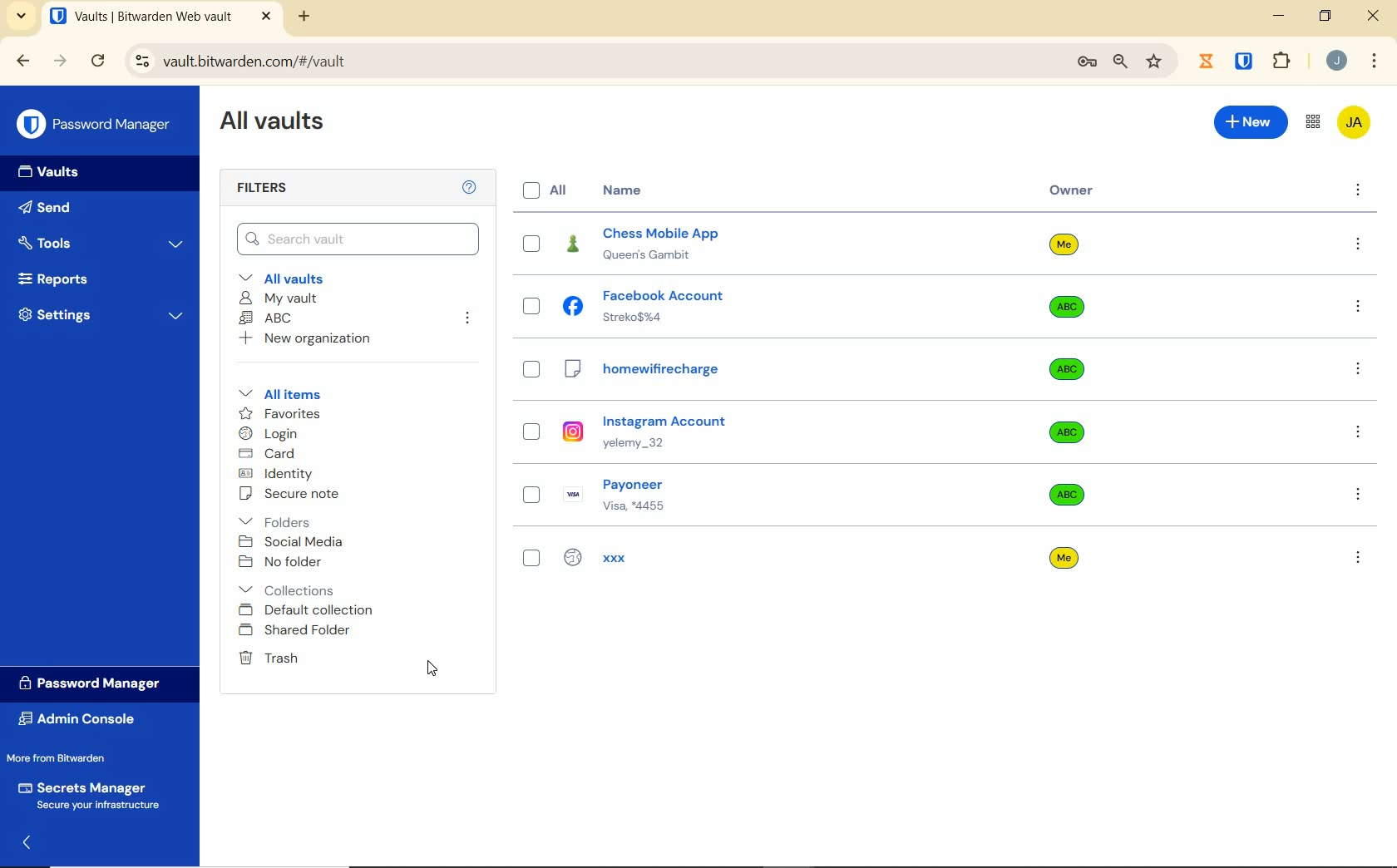  Describe the element at coordinates (1355, 124) in the screenshot. I see `Bitwarden Account` at that location.